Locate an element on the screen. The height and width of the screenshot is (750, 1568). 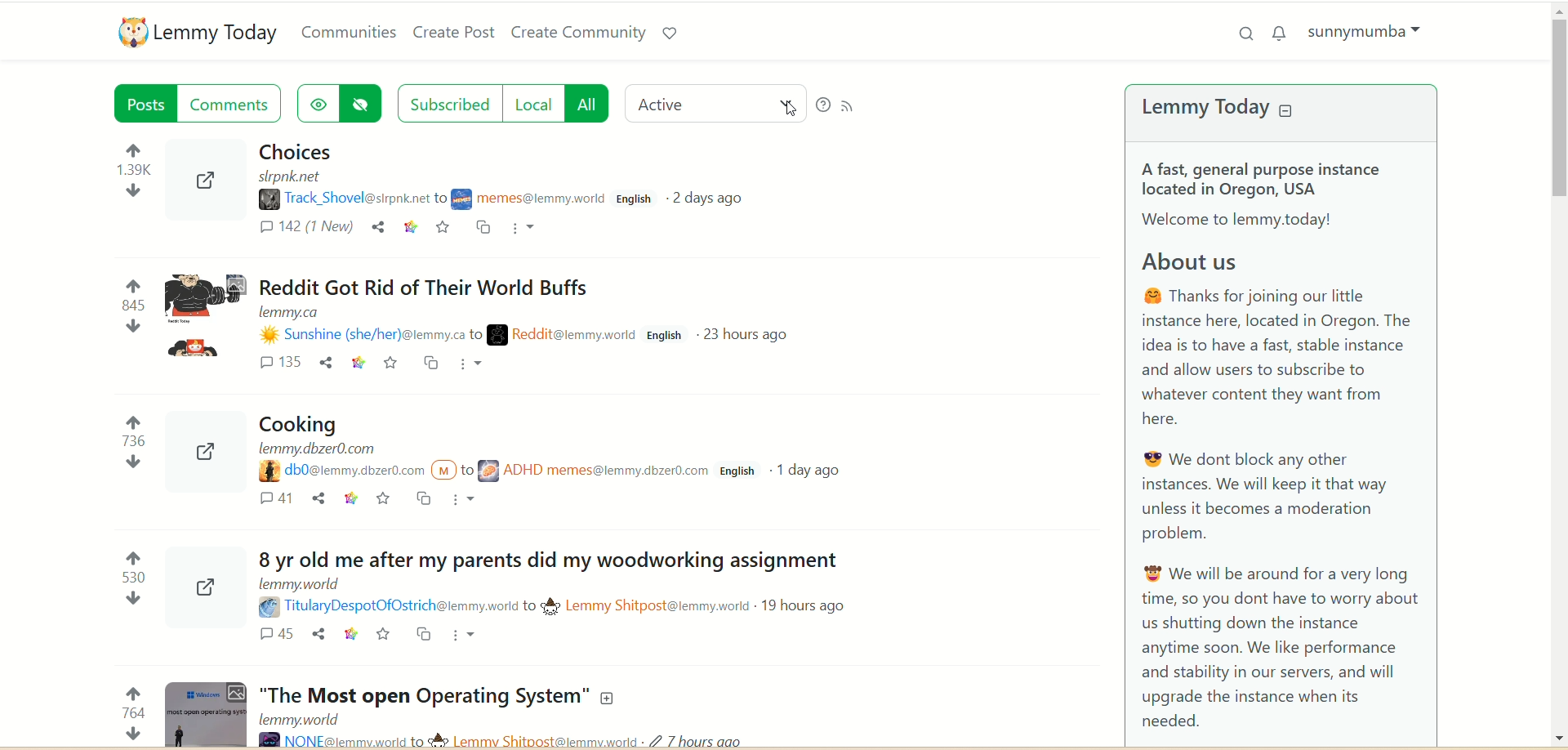
support lemmy is located at coordinates (669, 33).